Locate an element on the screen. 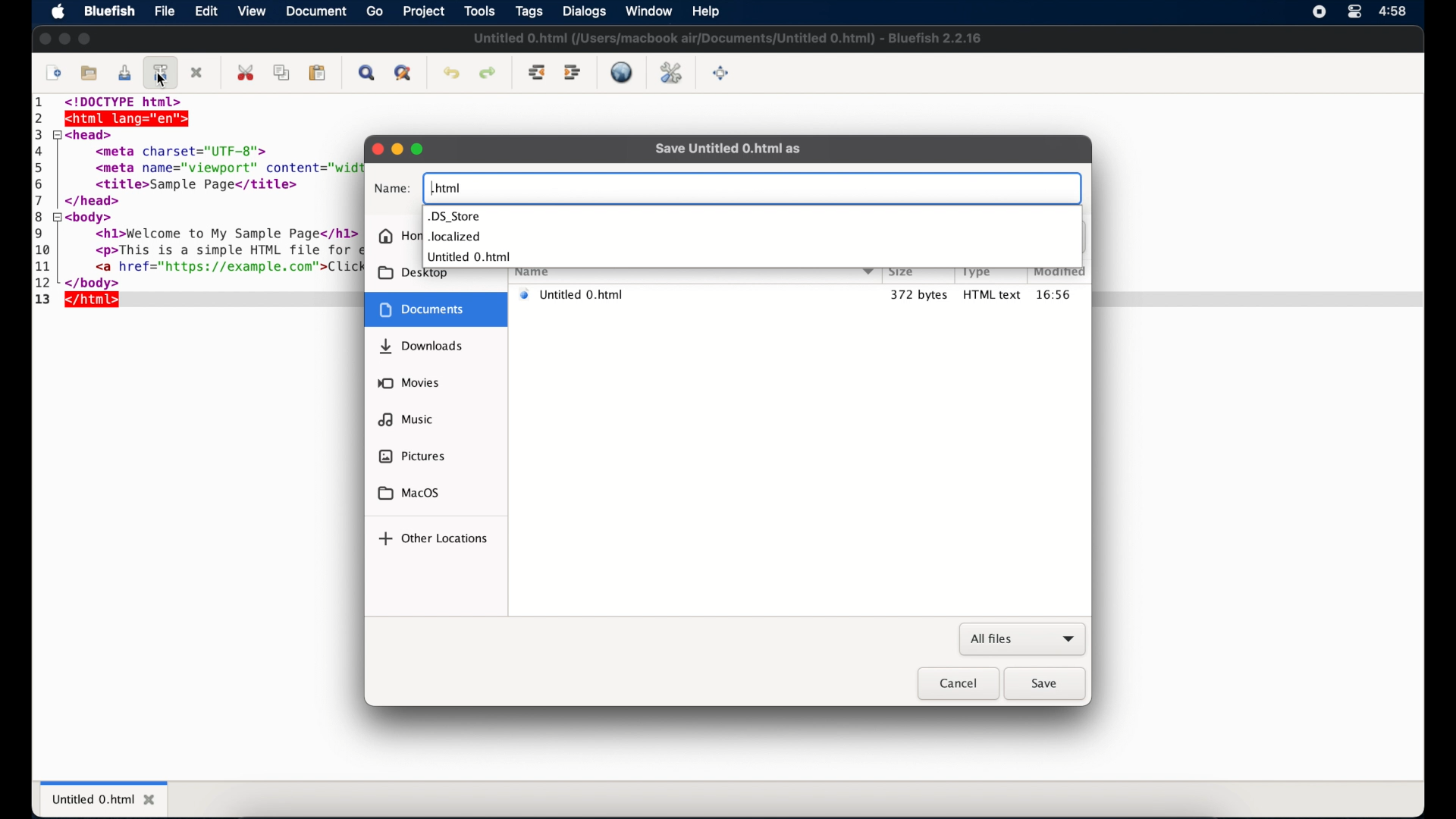  .html is located at coordinates (447, 187).